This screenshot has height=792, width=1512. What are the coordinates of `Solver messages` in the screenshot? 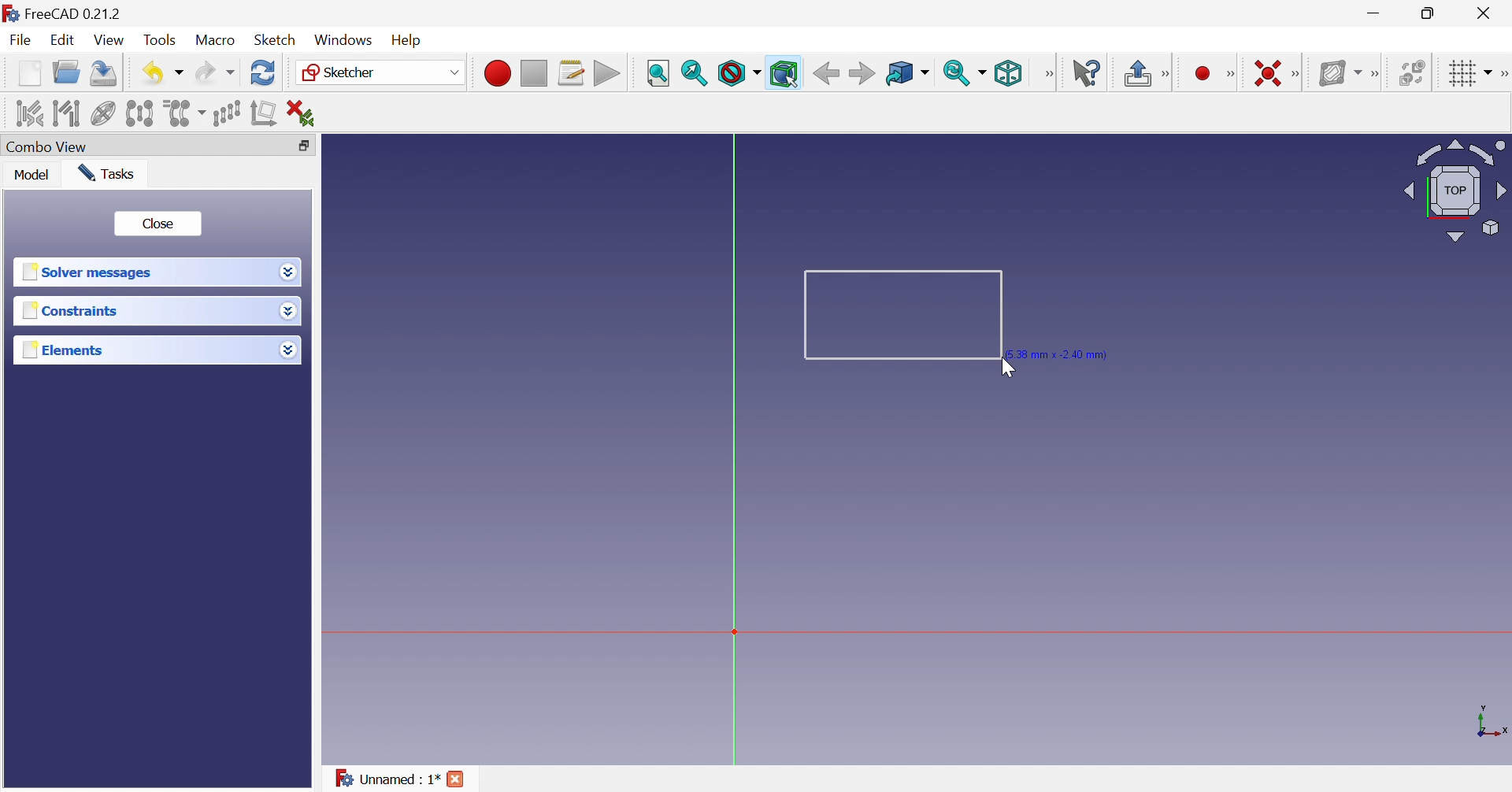 It's located at (86, 271).